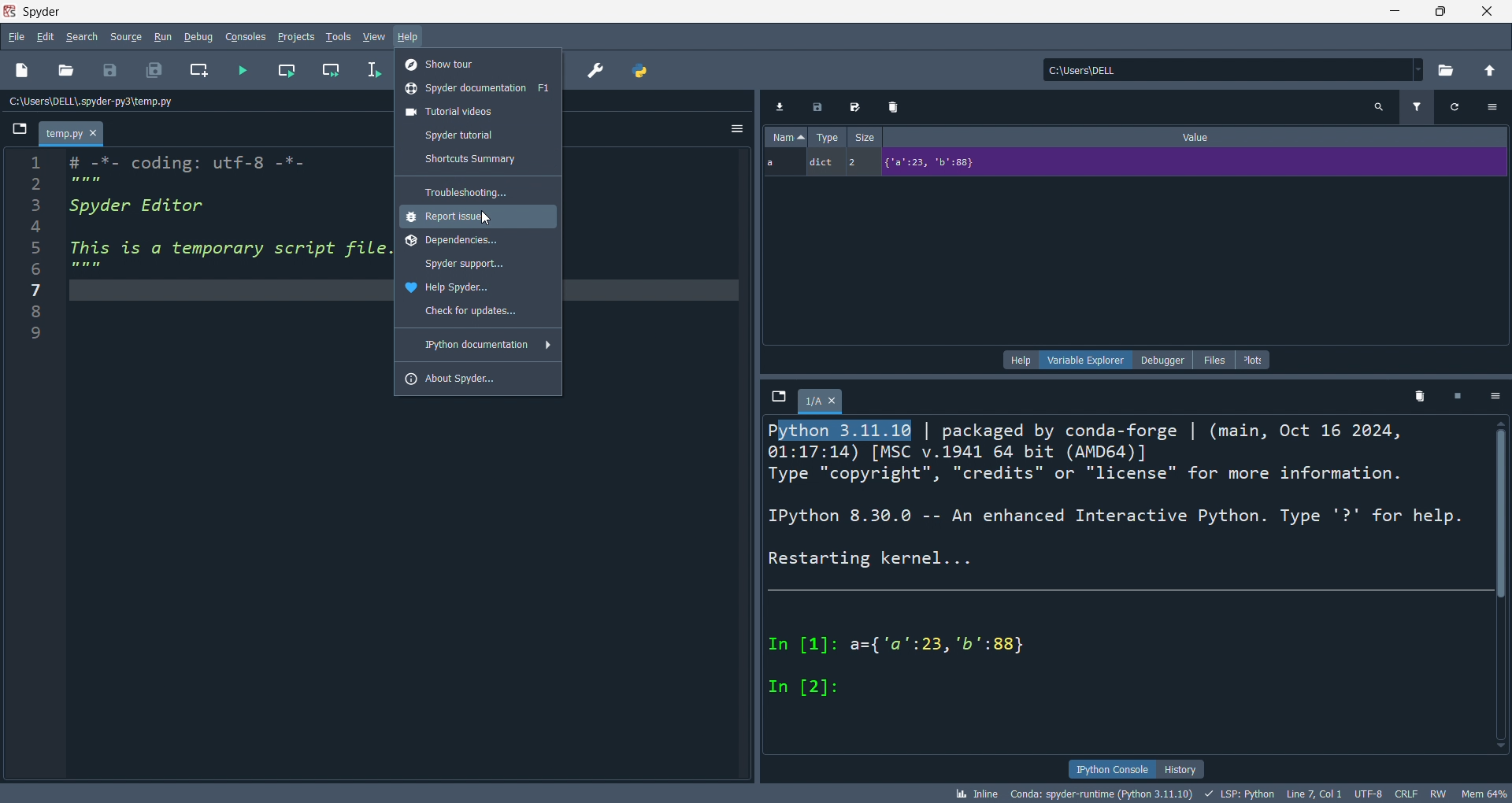  Describe the element at coordinates (641, 69) in the screenshot. I see `python path manager` at that location.